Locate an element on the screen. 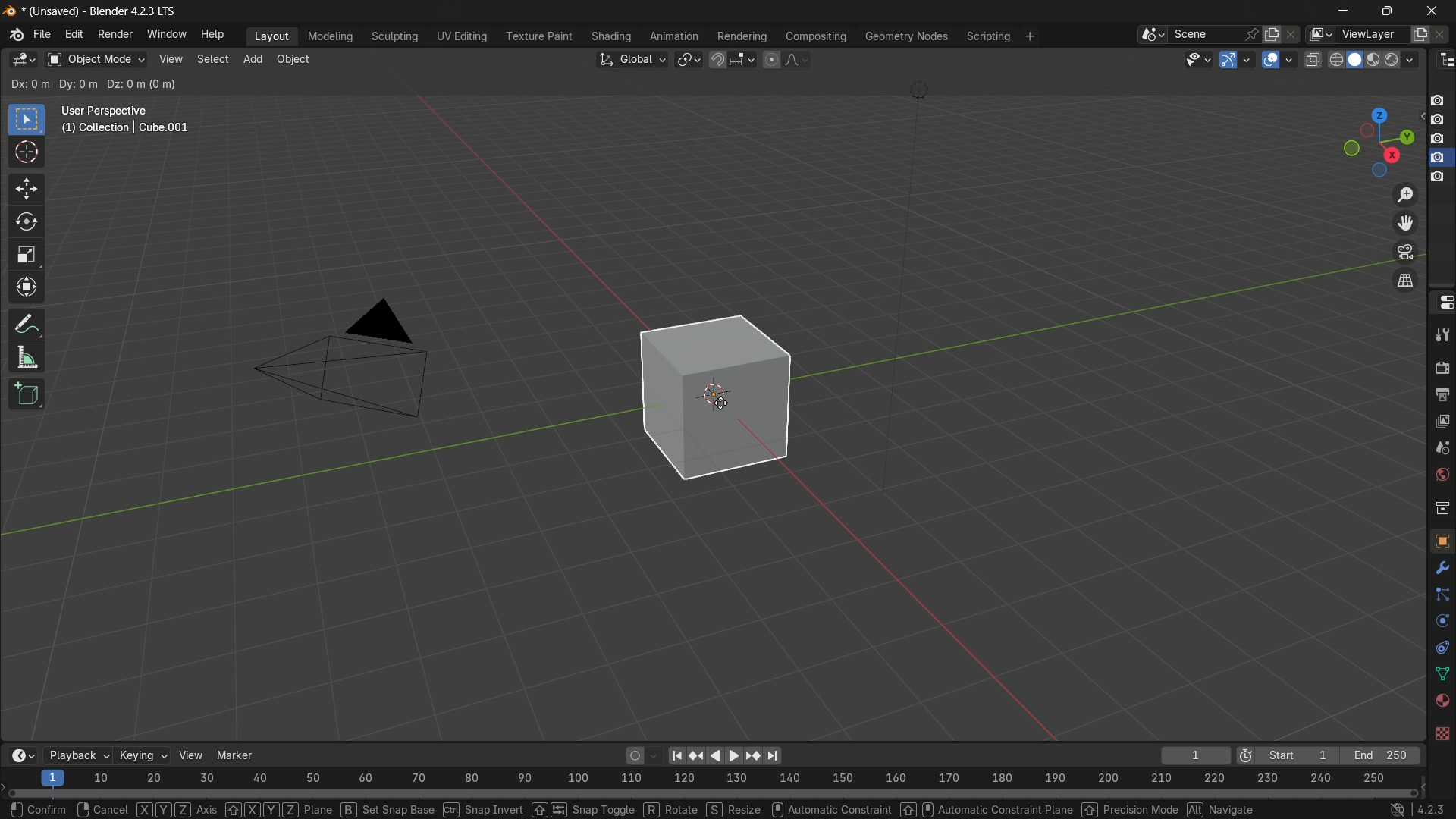 This screenshot has width=1456, height=819. remove view layer is located at coordinates (1445, 33).